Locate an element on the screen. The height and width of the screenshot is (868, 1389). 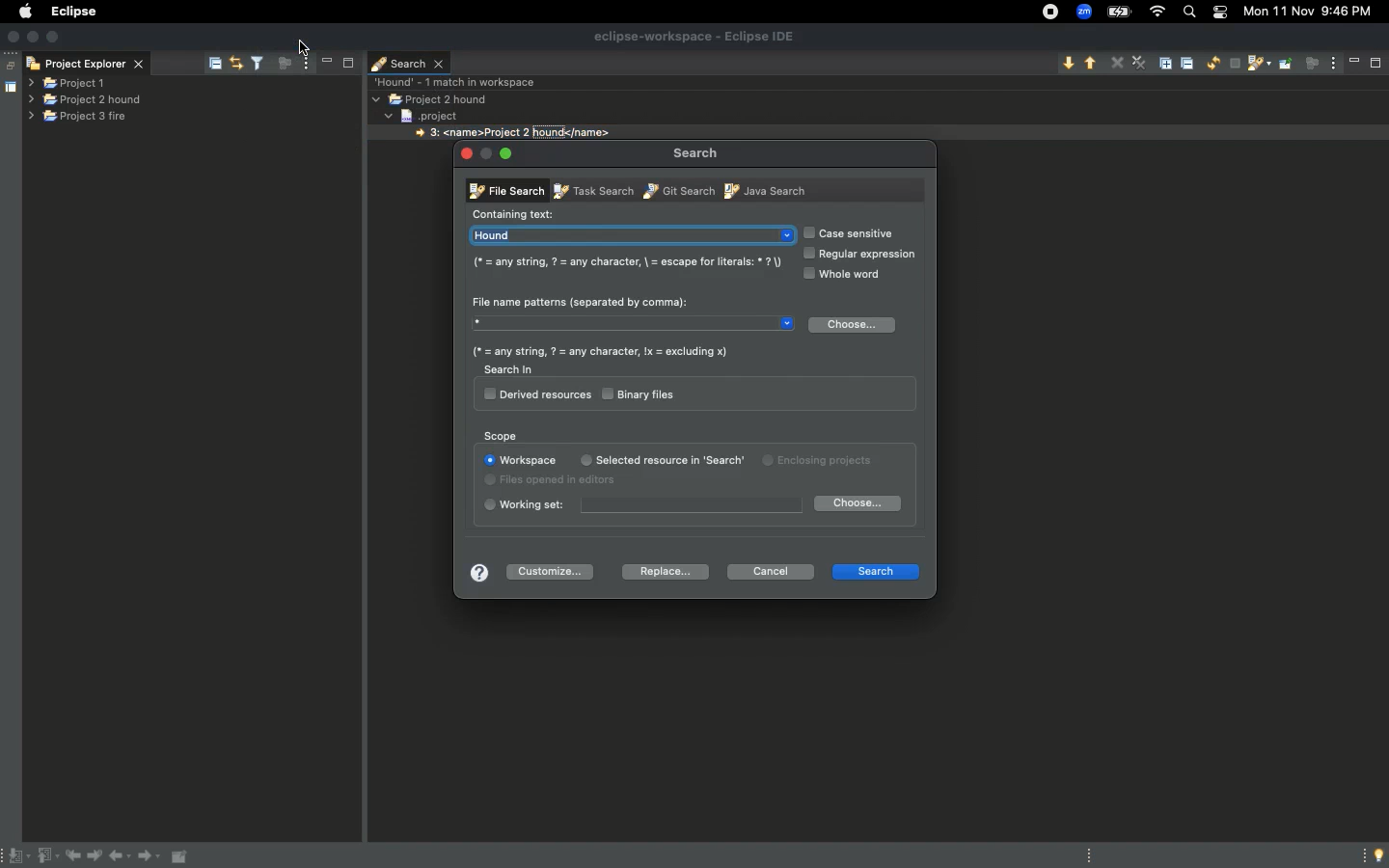
Search is located at coordinates (1188, 13).